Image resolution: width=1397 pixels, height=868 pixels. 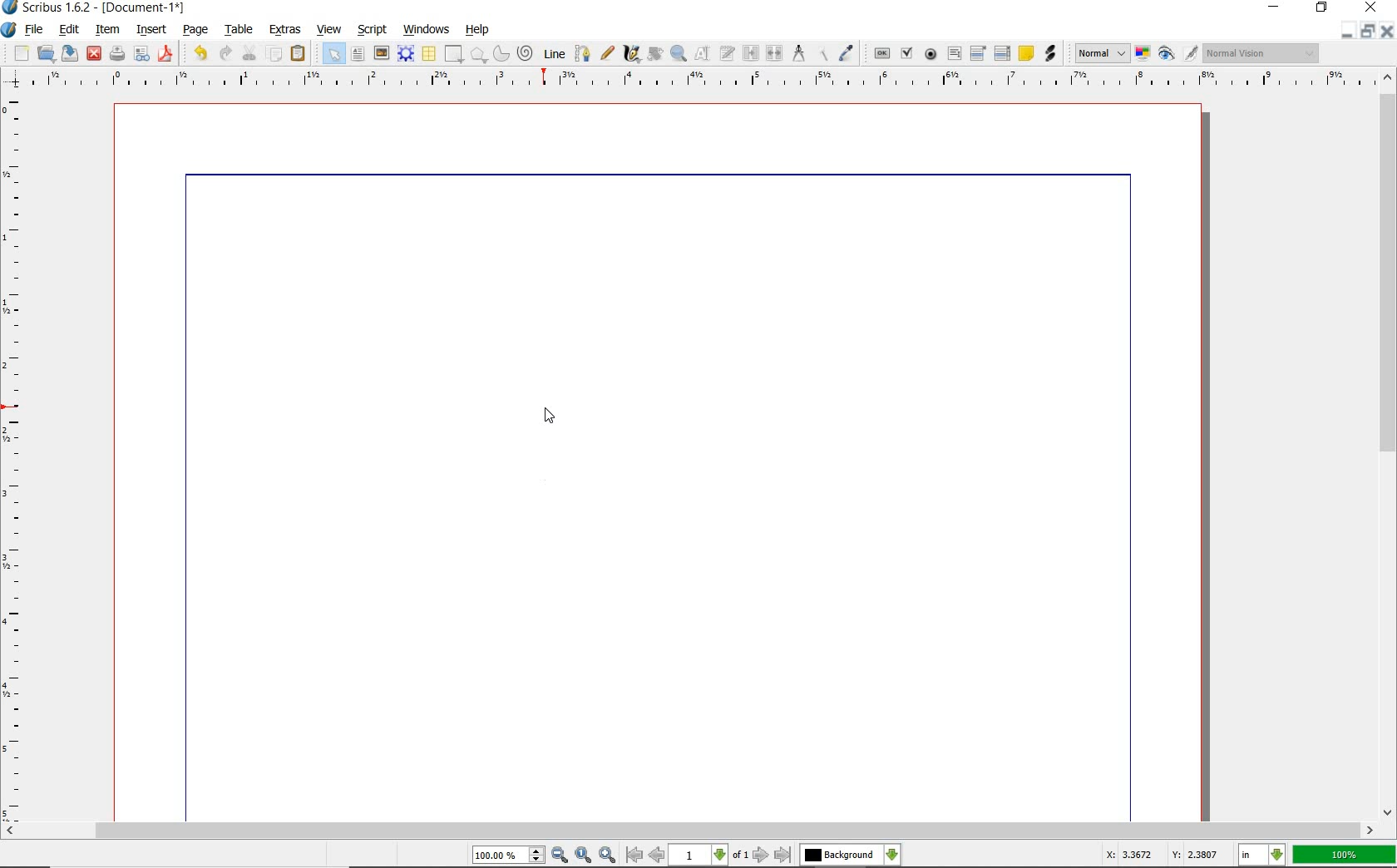 What do you see at coordinates (141, 55) in the screenshot?
I see `preflight verifier` at bounding box center [141, 55].